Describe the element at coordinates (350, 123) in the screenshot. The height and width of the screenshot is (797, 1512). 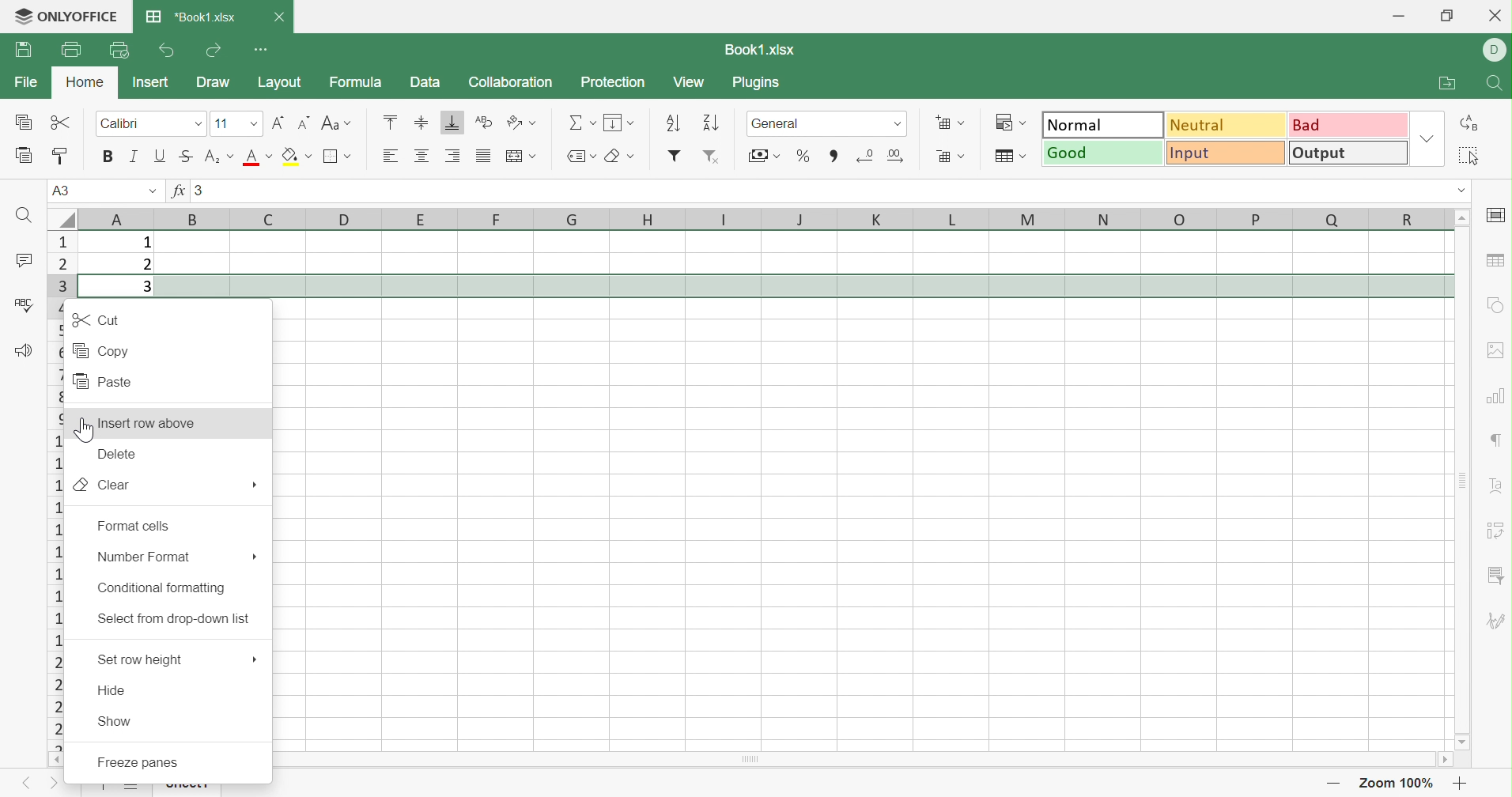
I see `Drop Down` at that location.